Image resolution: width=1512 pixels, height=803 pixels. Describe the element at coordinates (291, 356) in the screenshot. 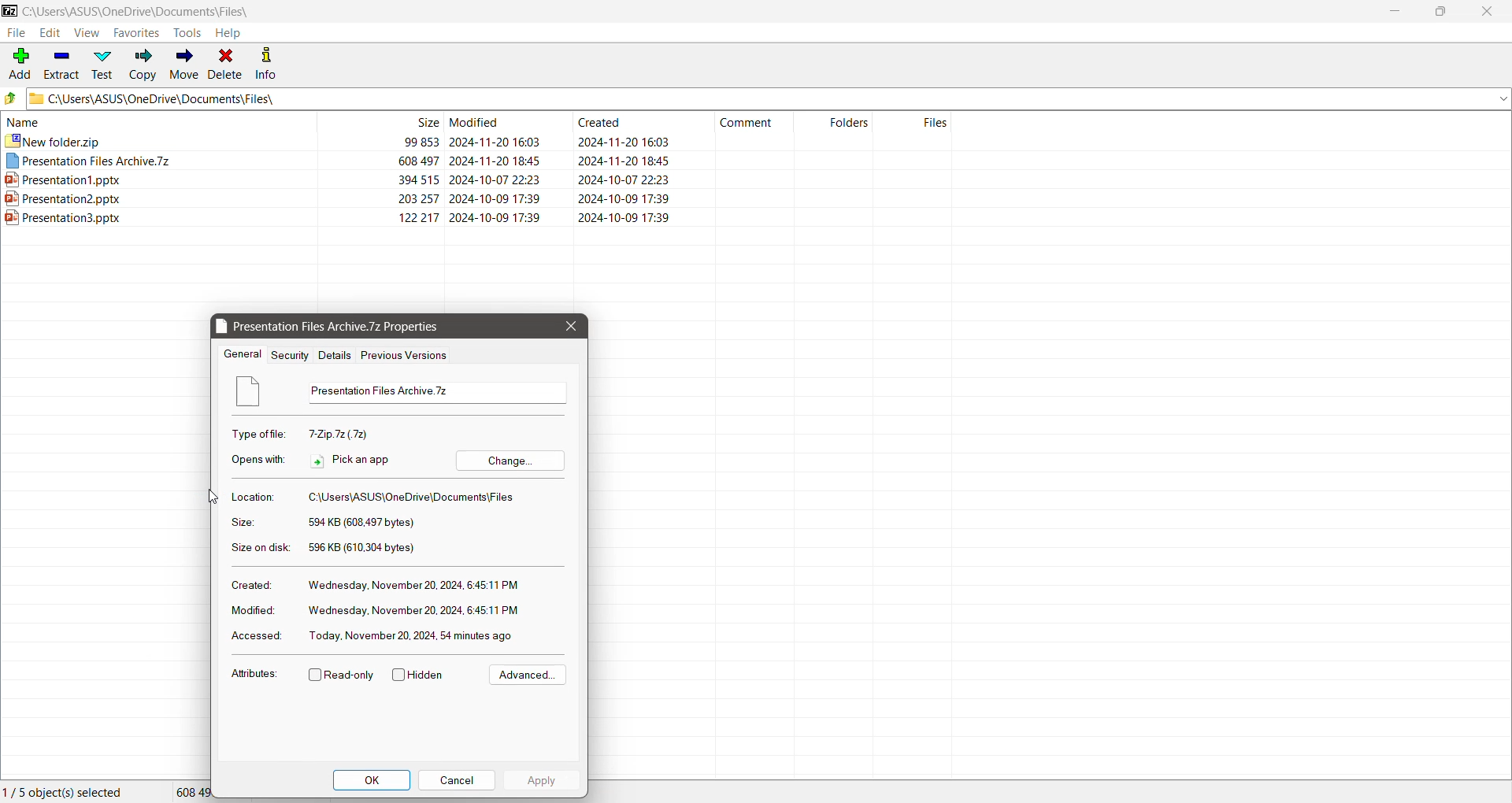

I see `Security` at that location.